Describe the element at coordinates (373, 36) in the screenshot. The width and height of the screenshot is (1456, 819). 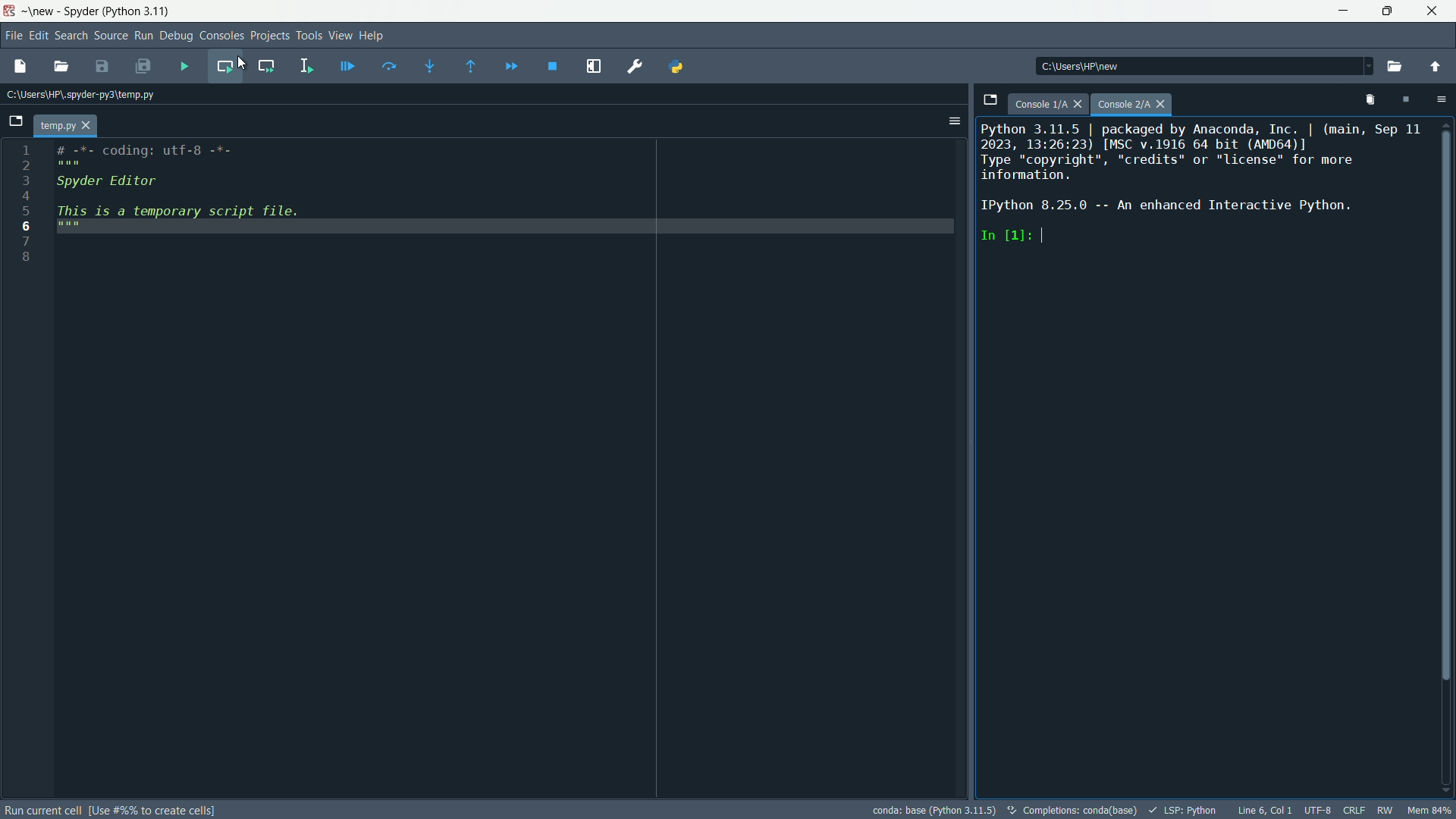
I see `help menu` at that location.